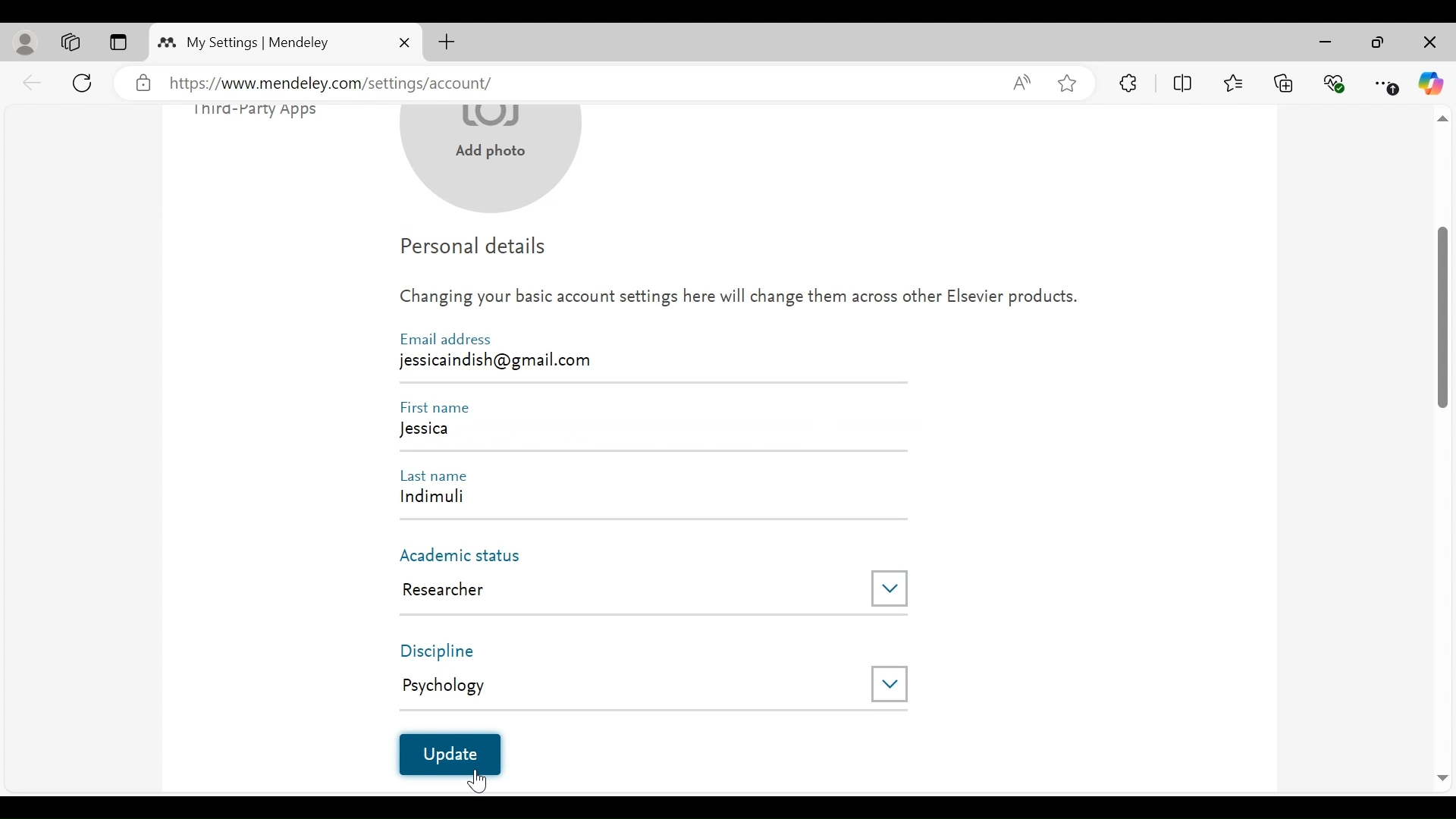 The width and height of the screenshot is (1456, 819). Describe the element at coordinates (500, 359) in the screenshot. I see `jessicaindish@gmail.com` at that location.